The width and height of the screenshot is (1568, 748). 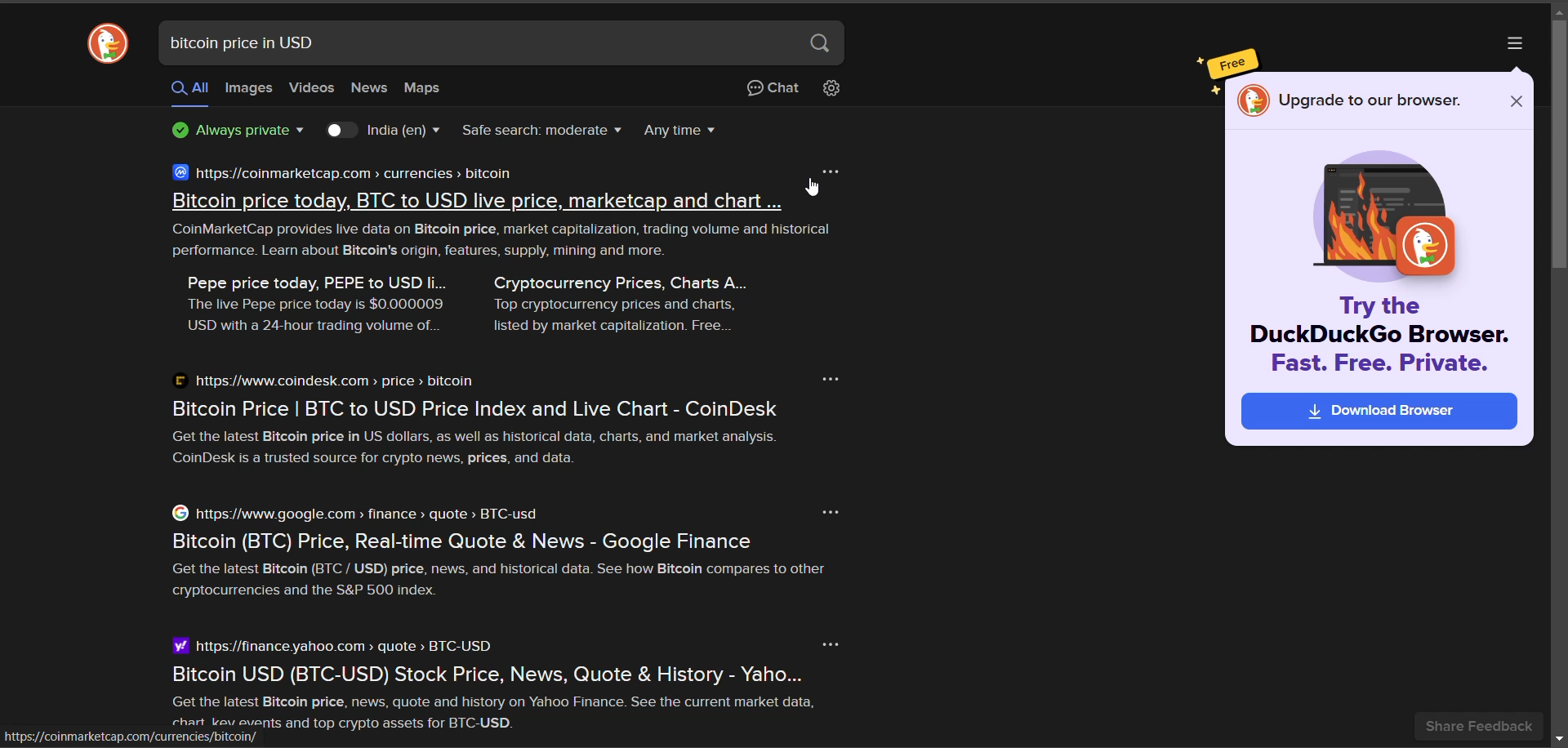 I want to click on https://coinmarketcap.com > currencies > bitcoin, so click(x=344, y=173).